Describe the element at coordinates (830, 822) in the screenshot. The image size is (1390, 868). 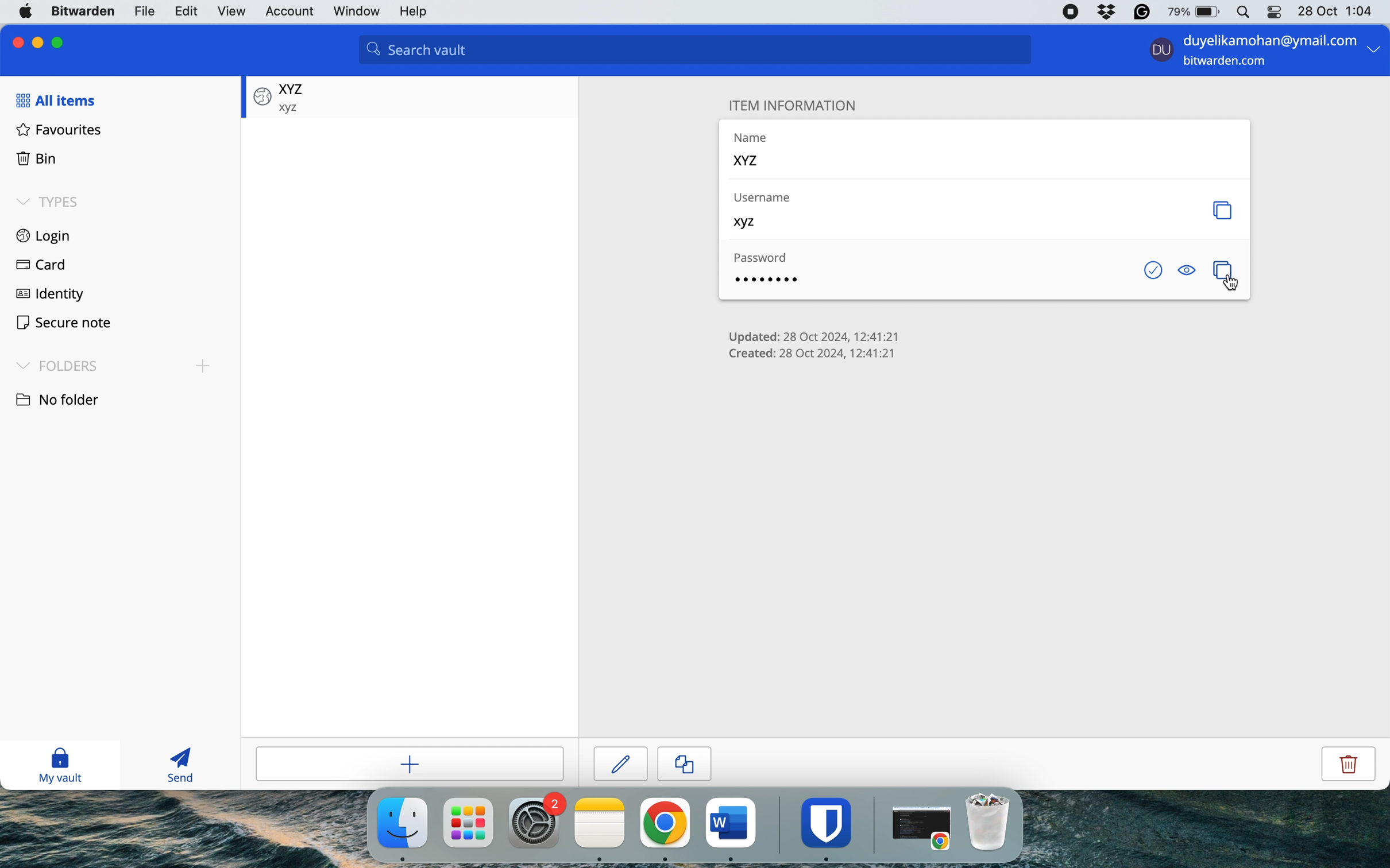
I see `bitwarden` at that location.